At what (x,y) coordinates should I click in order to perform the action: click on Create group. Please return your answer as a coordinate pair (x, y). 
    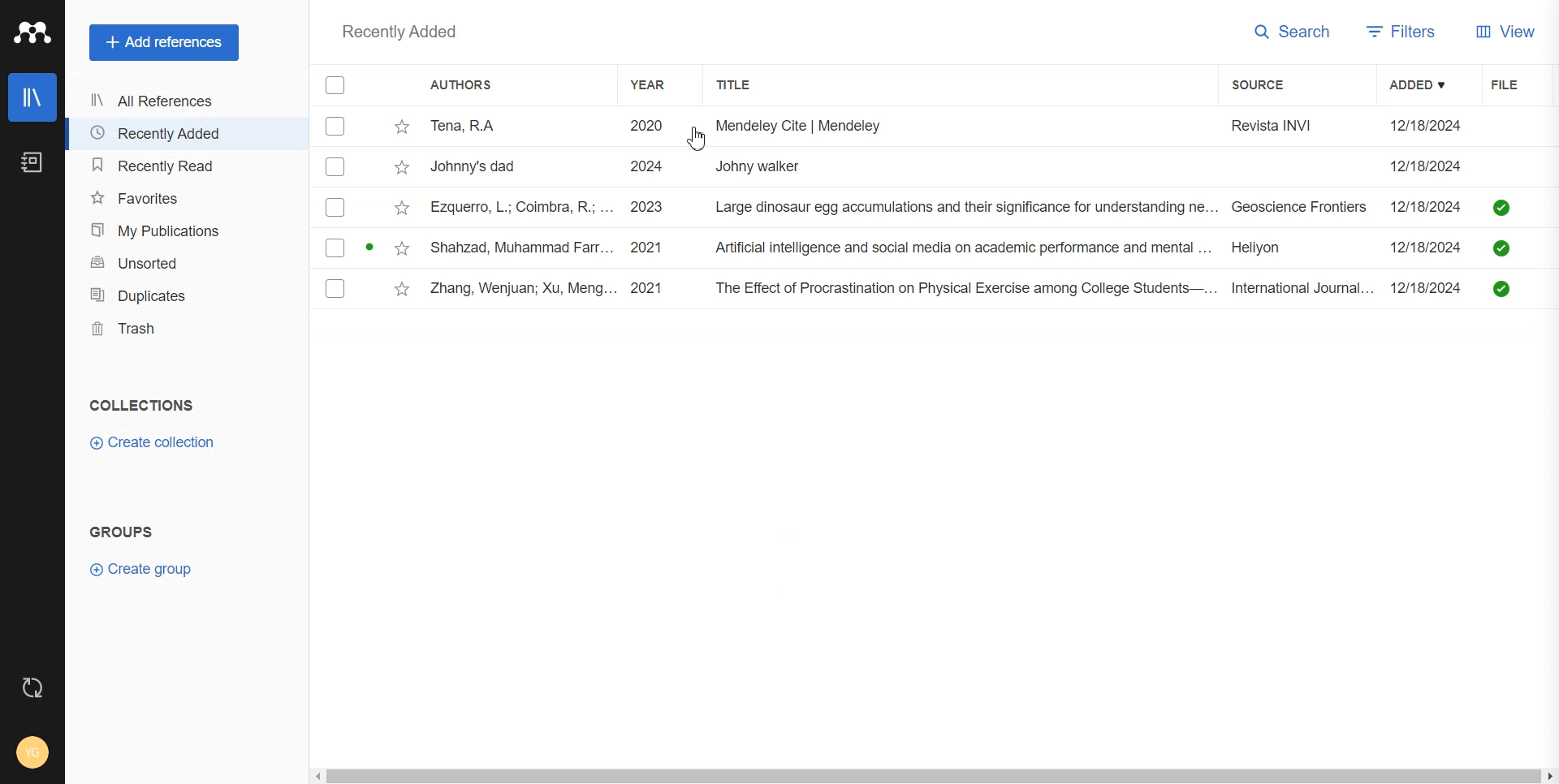
    Looking at the image, I should click on (140, 569).